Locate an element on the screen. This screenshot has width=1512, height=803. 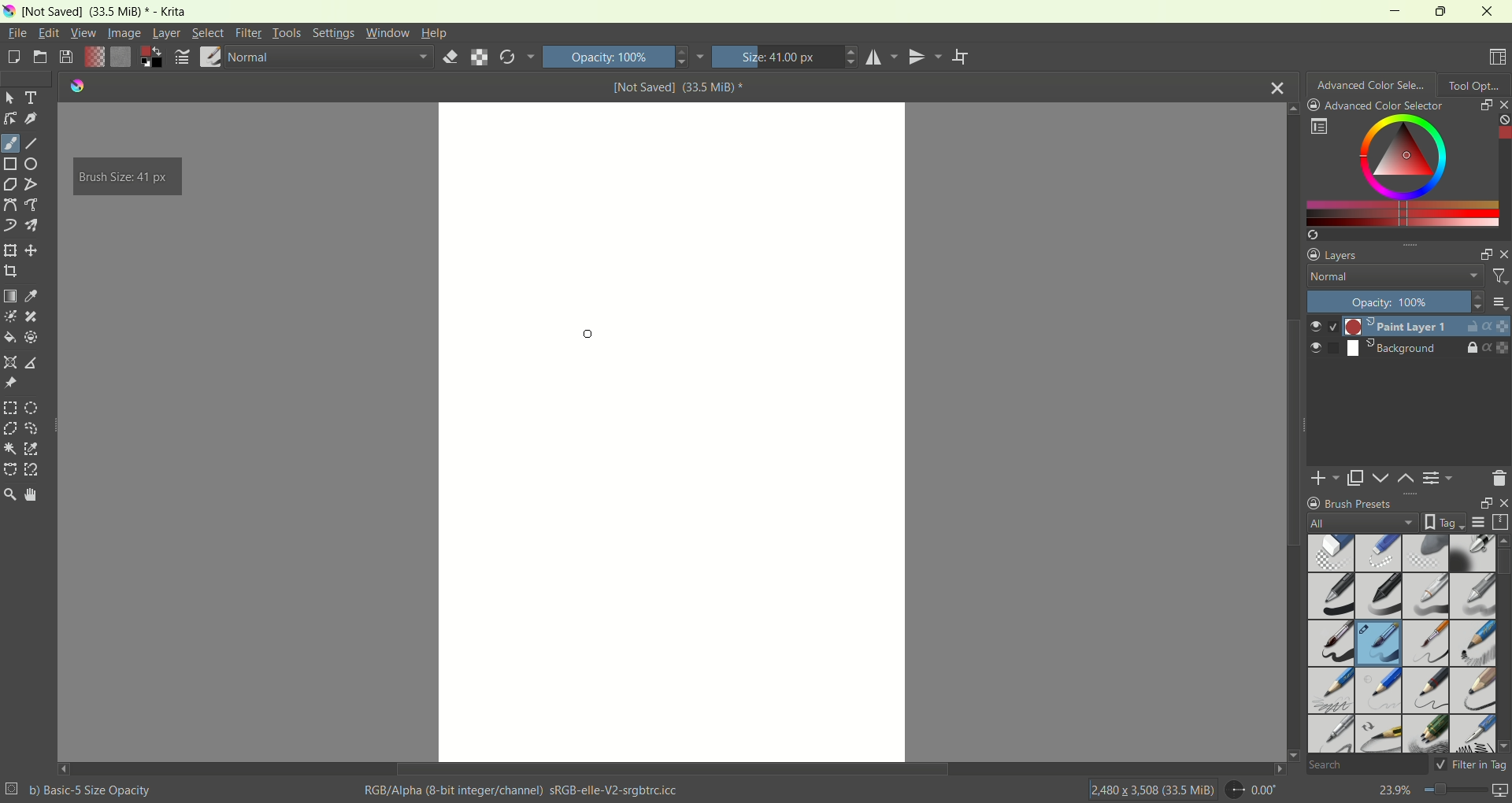
freehand brush is located at coordinates (10, 143).